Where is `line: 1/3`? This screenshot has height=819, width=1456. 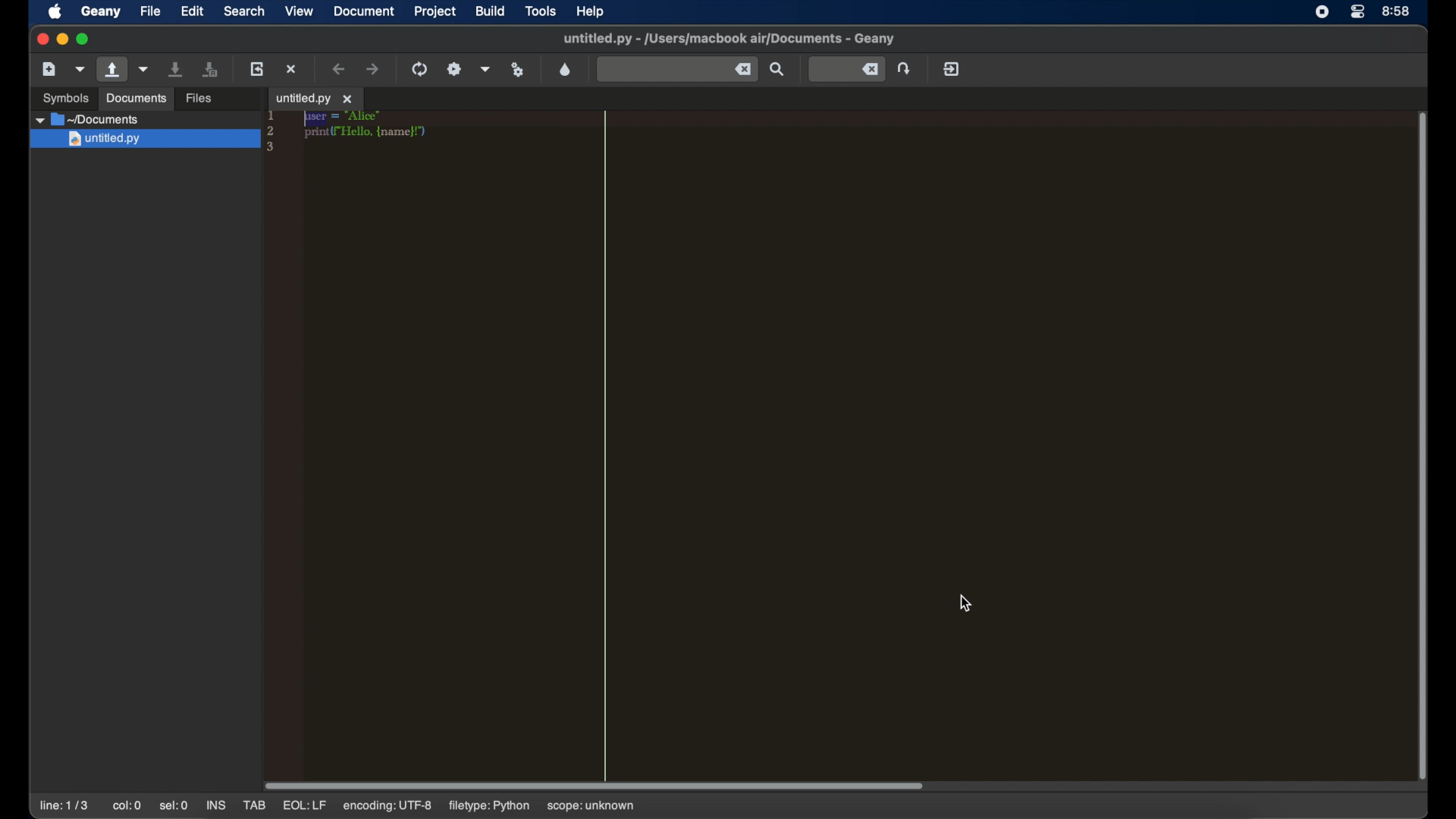
line: 1/3 is located at coordinates (64, 806).